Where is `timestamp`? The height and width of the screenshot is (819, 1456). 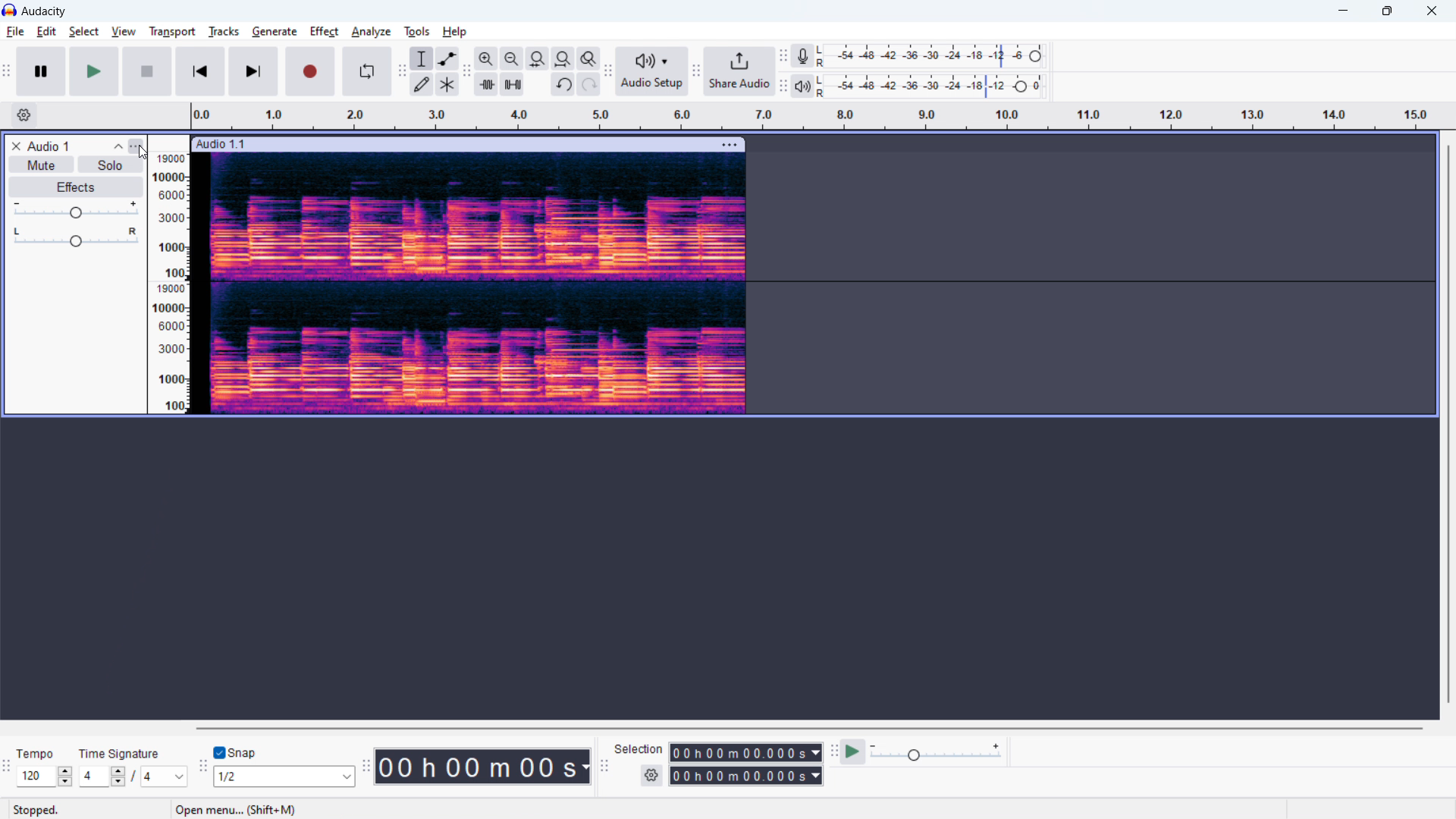 timestamp is located at coordinates (484, 766).